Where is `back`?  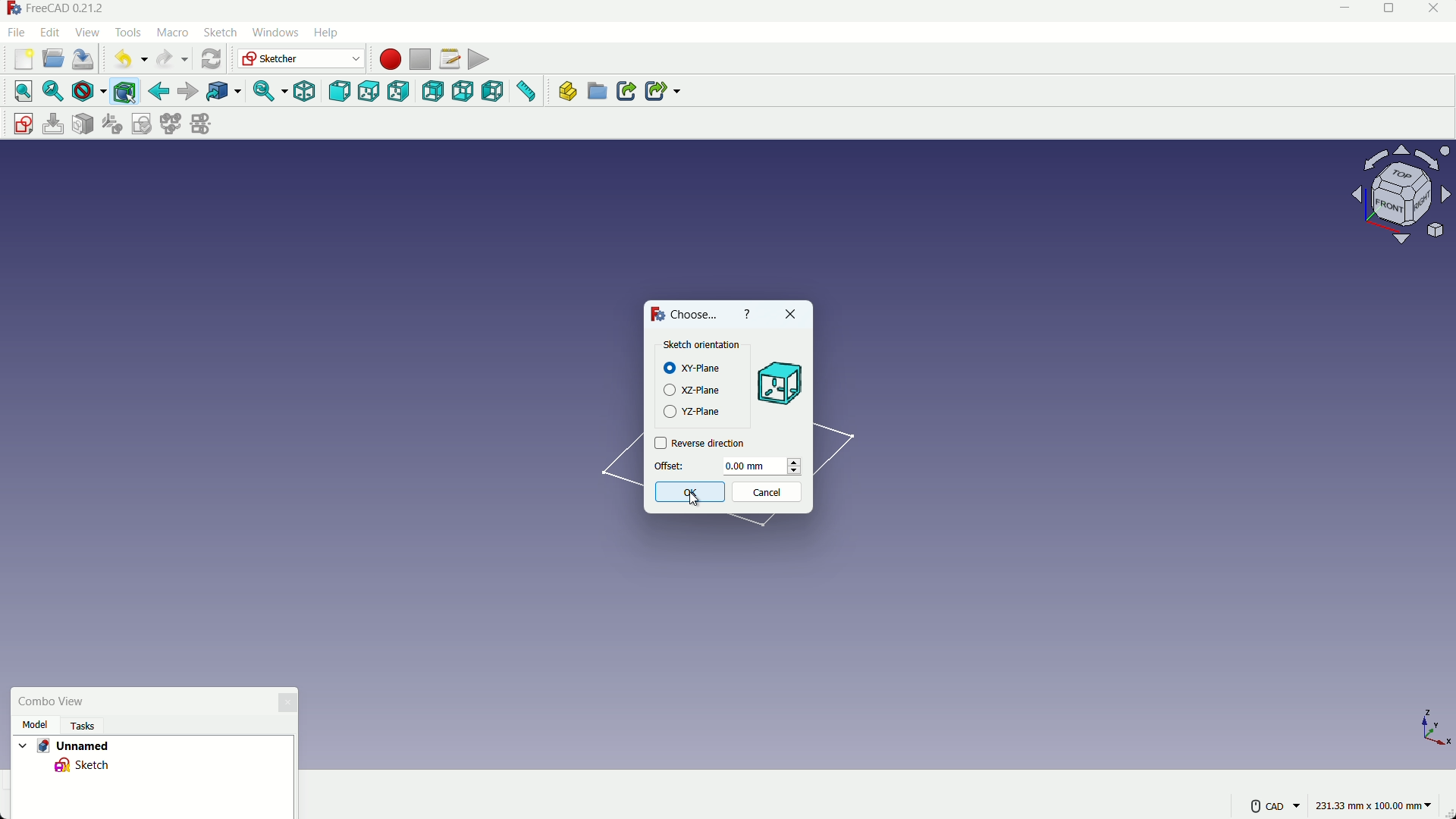
back is located at coordinates (158, 91).